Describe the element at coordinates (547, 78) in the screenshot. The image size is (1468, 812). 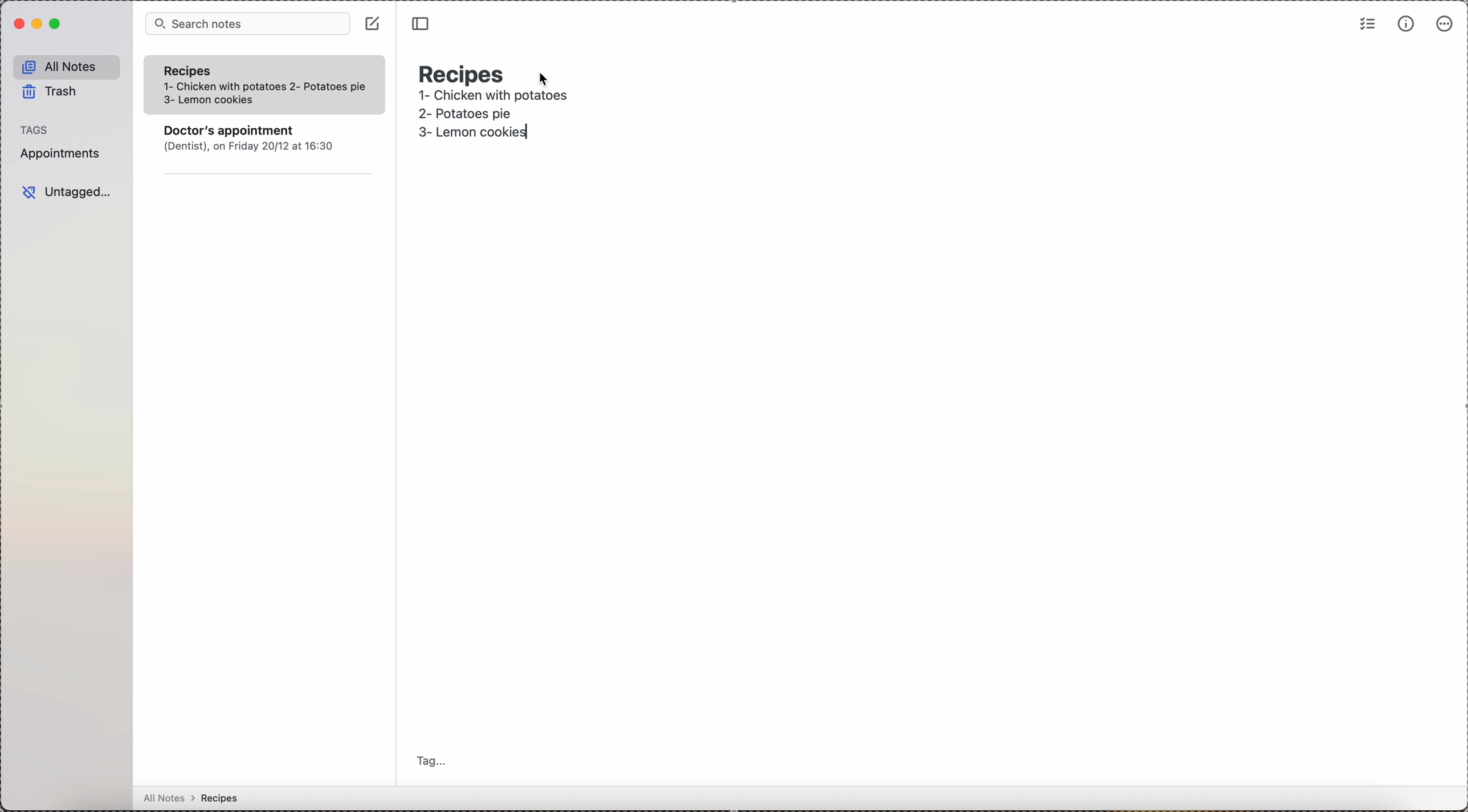
I see `cursor` at that location.